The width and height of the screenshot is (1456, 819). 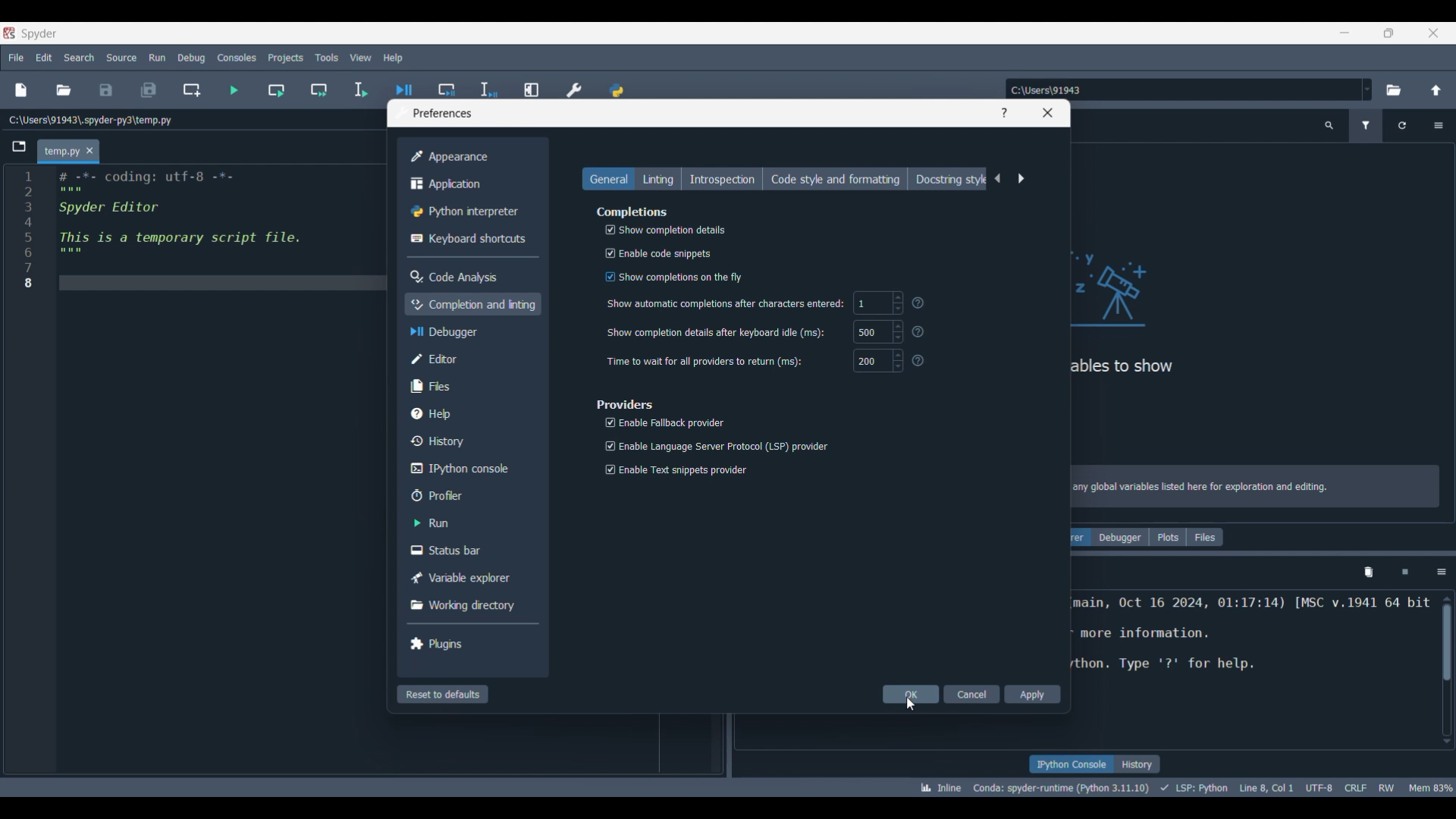 I want to click on Time to wait for all providers to return (ms):, so click(x=705, y=361).